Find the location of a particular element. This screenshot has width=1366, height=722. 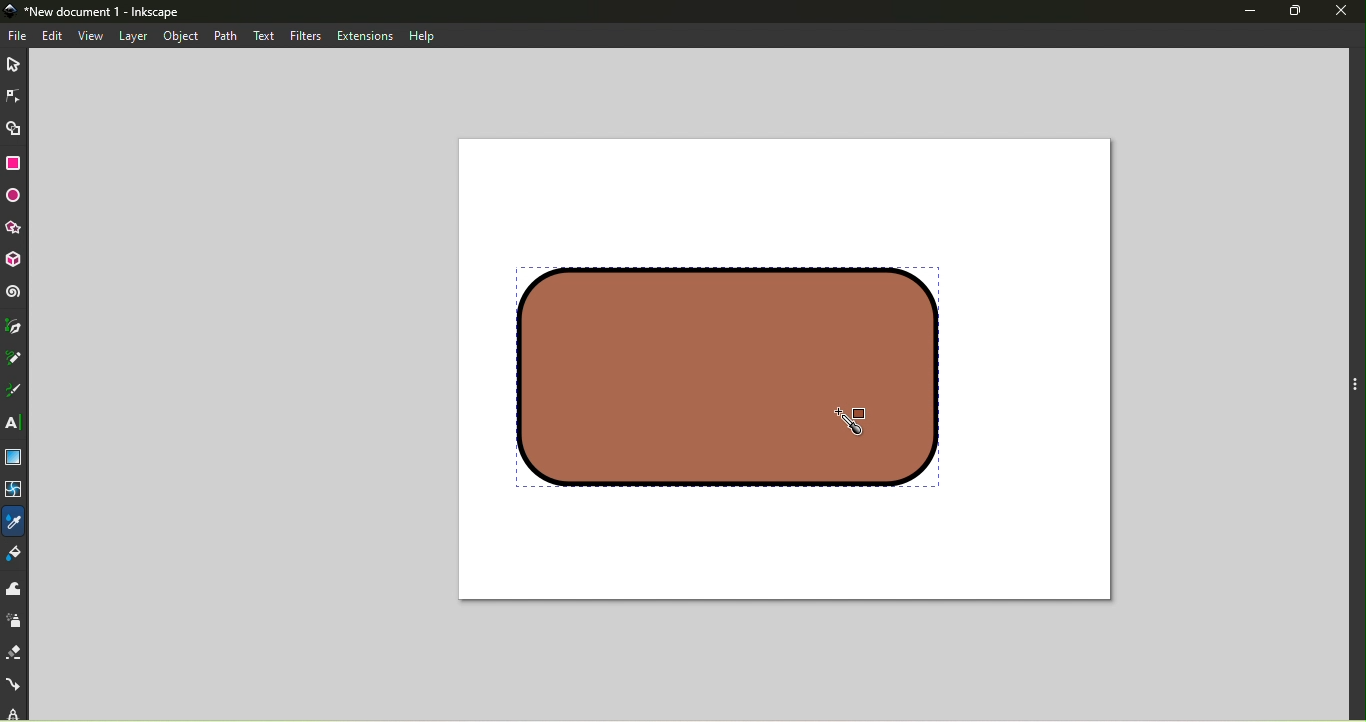

Maximize is located at coordinates (1301, 11).